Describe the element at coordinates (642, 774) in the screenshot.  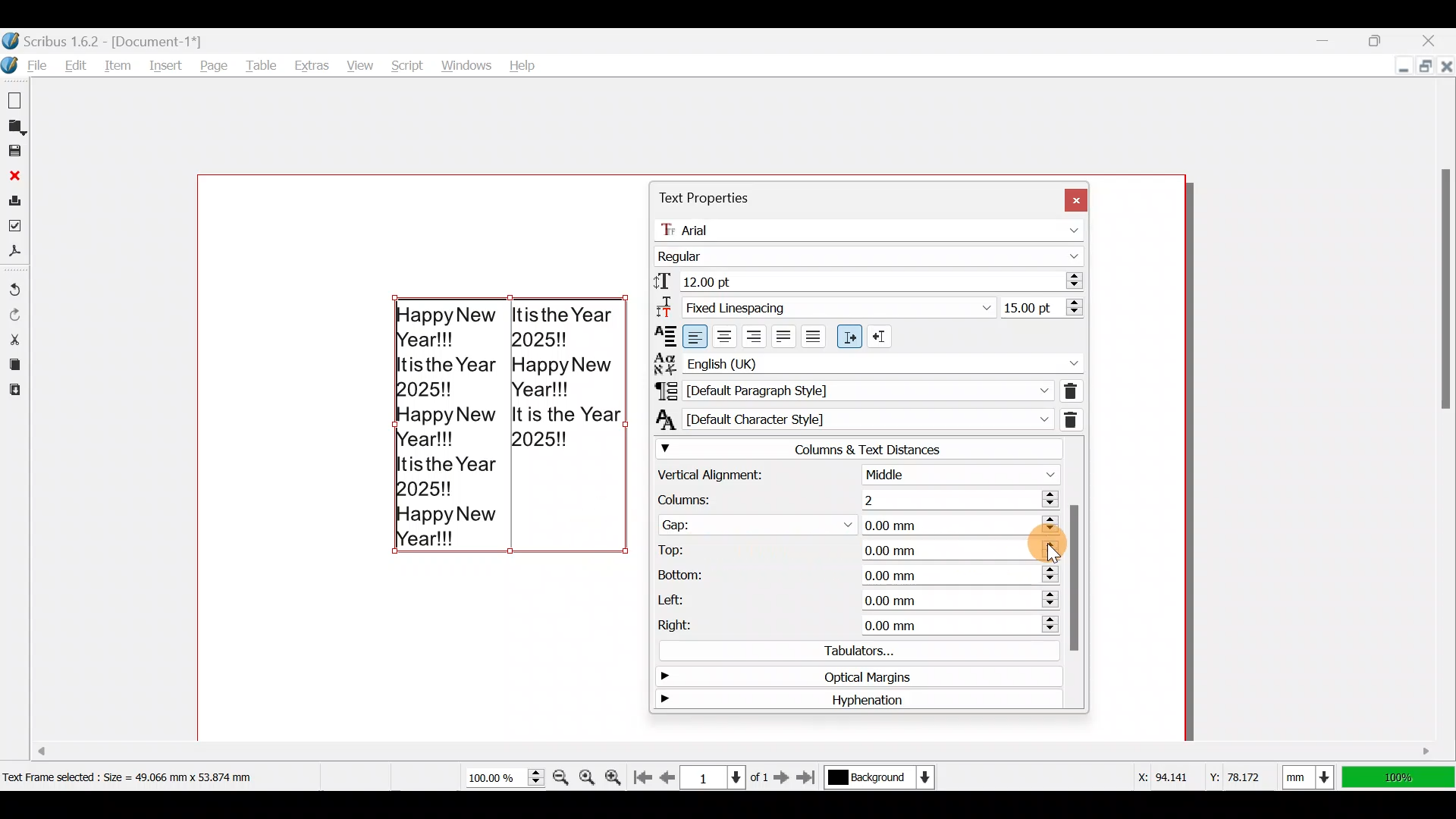
I see `Go to first page` at that location.